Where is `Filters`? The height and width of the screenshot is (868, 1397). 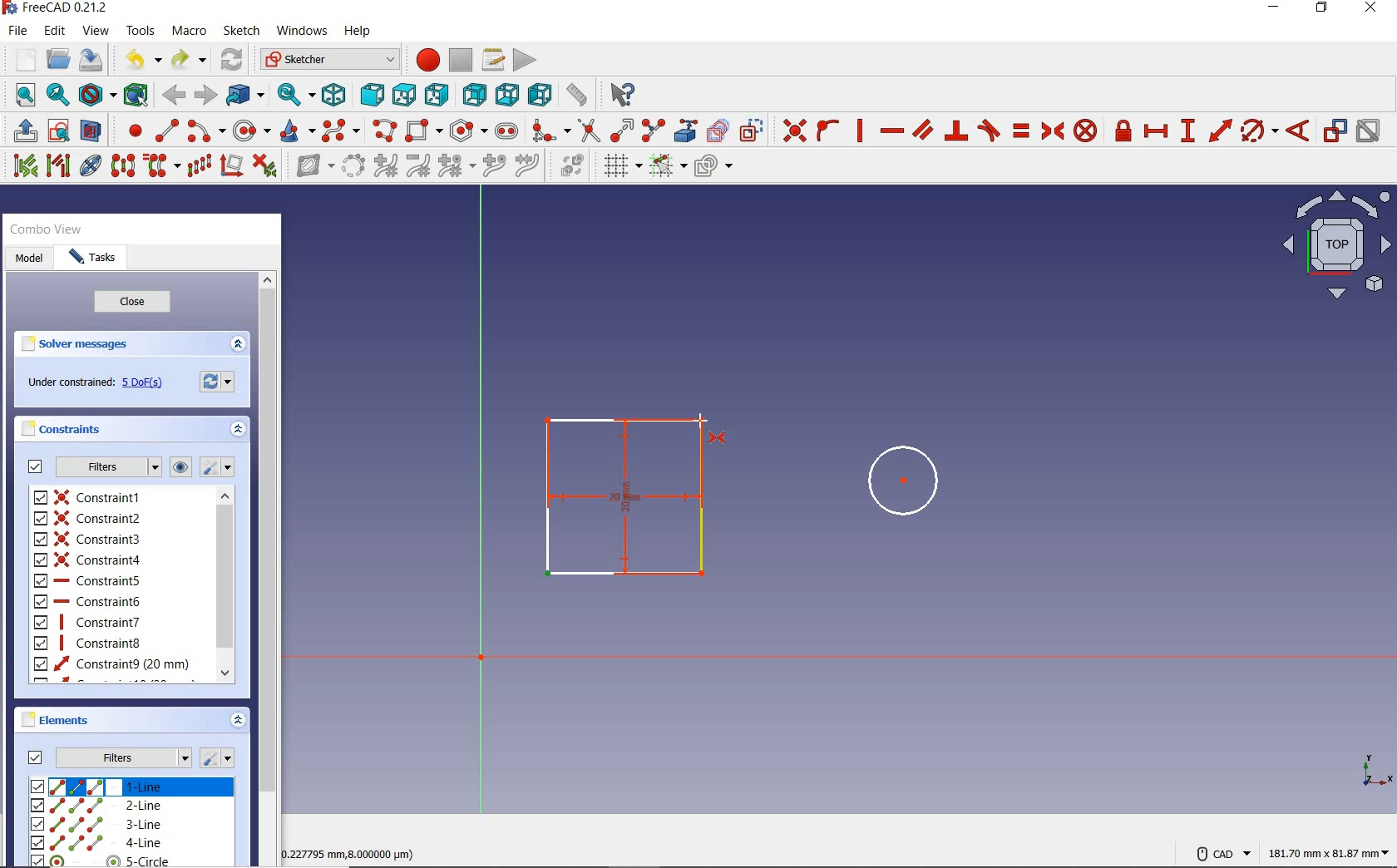
Filters is located at coordinates (126, 755).